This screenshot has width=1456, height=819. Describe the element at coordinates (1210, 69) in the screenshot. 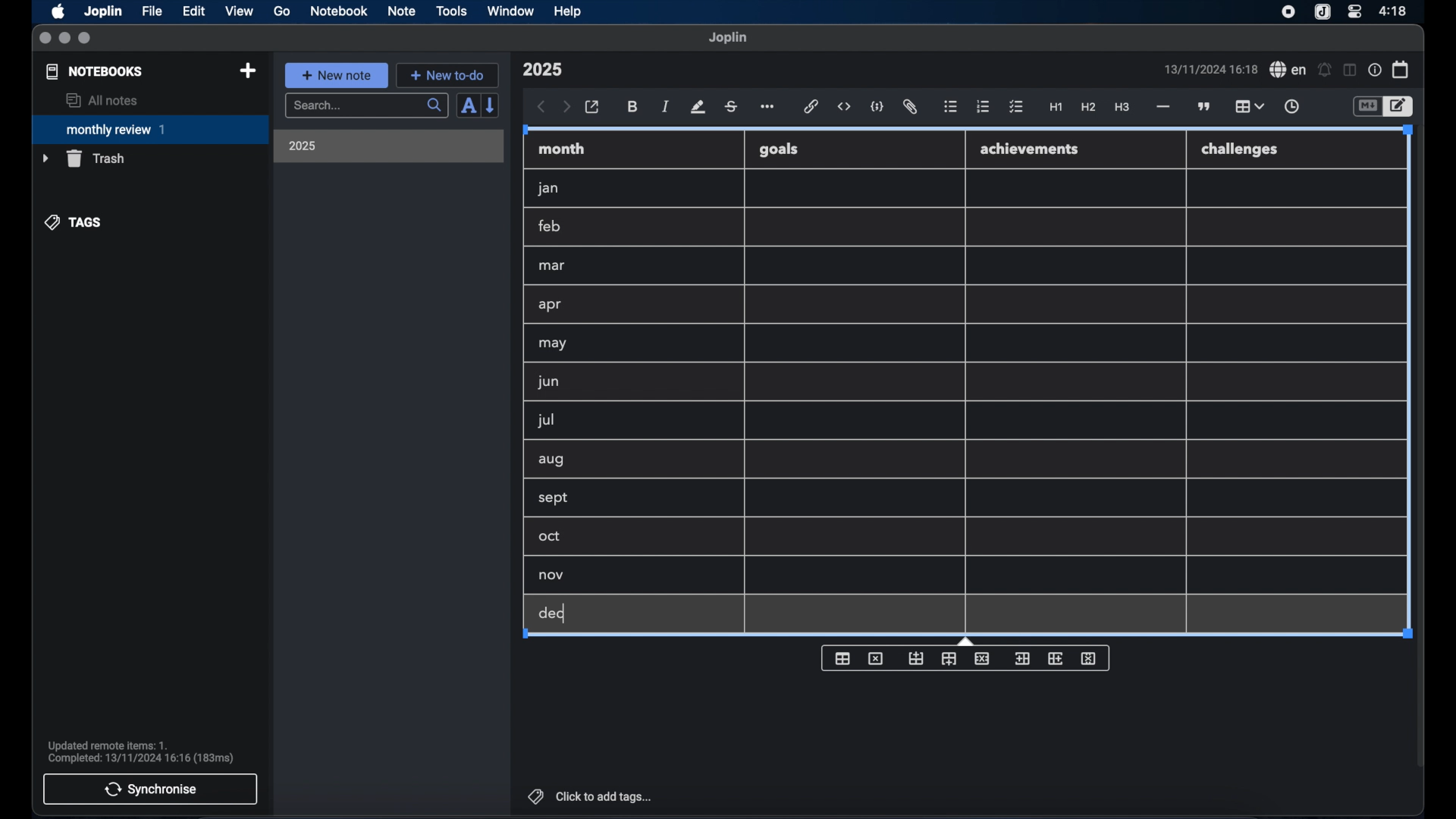

I see `date` at that location.